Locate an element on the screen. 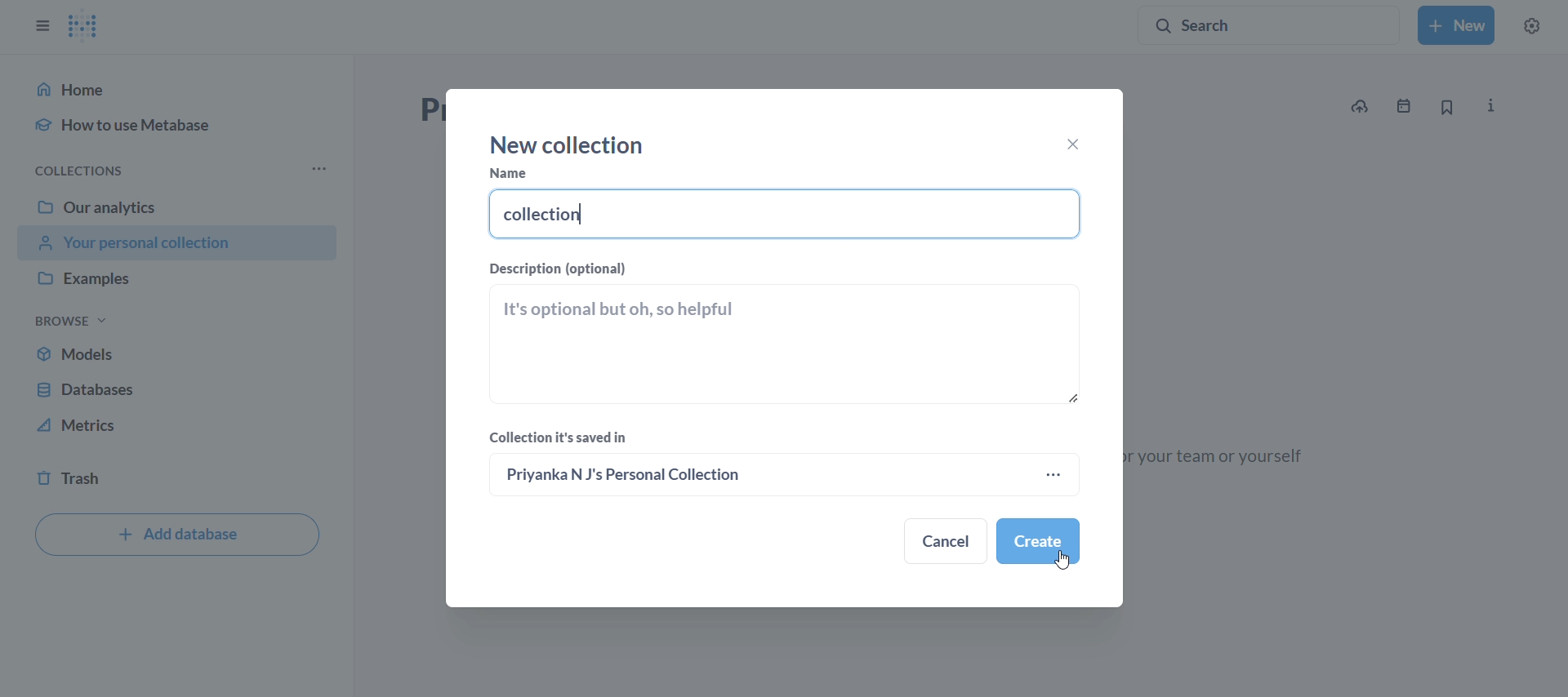  new collection is located at coordinates (1458, 25).